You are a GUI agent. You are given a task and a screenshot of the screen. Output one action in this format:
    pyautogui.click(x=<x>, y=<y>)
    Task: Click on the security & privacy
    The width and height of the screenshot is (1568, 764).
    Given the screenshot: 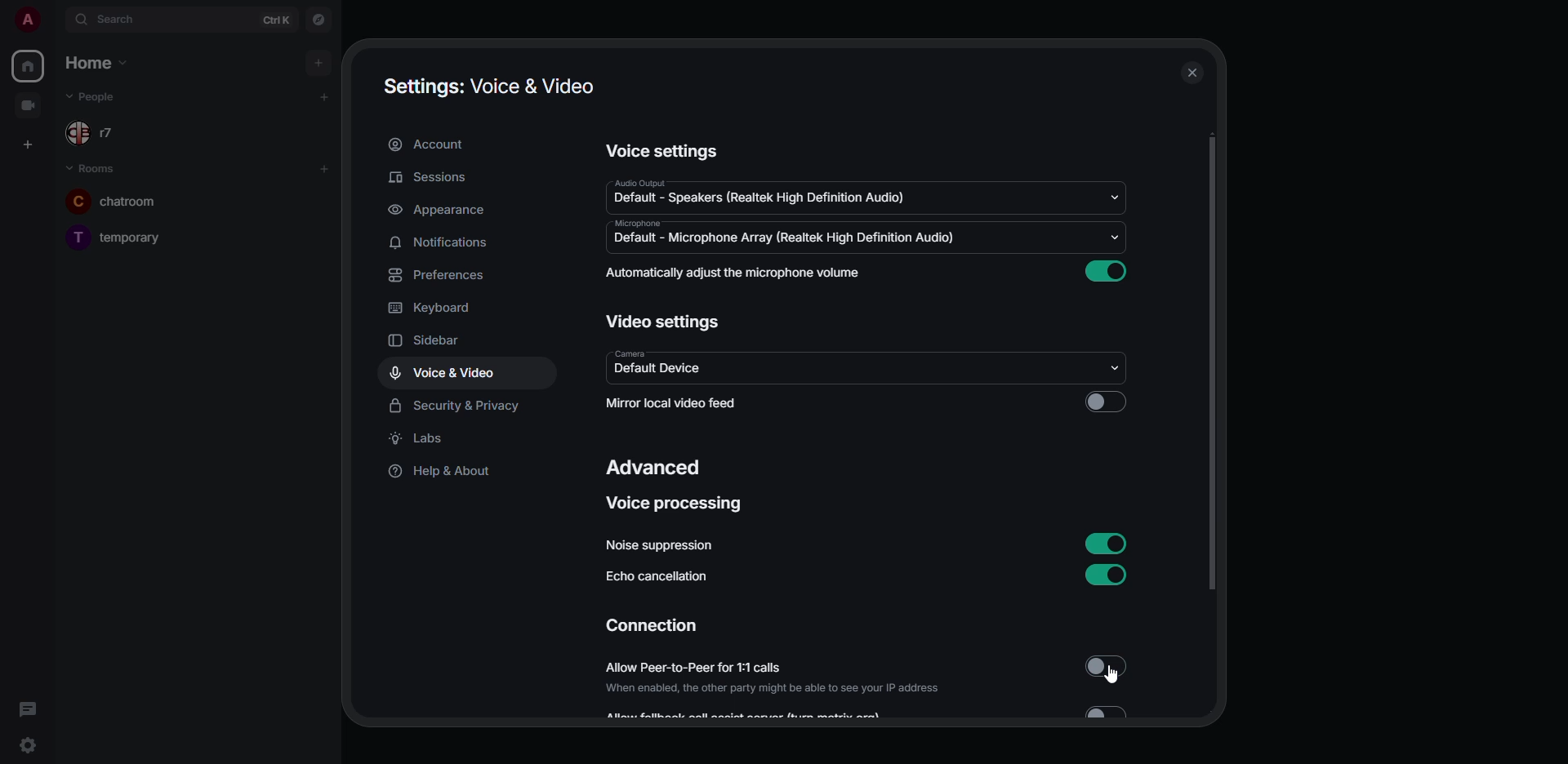 What is the action you would take?
    pyautogui.click(x=467, y=405)
    